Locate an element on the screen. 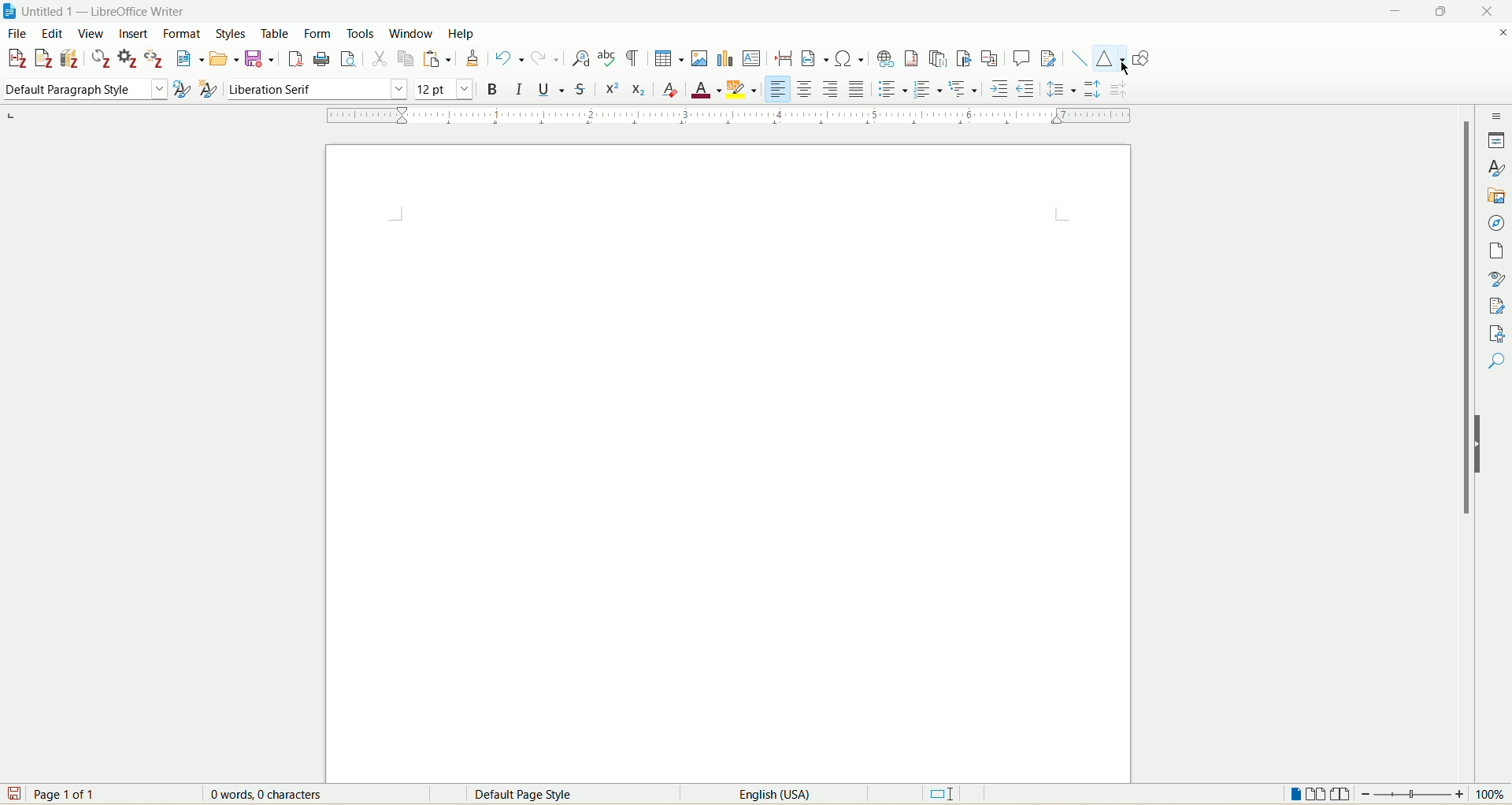 Image resolution: width=1512 pixels, height=805 pixels. table is located at coordinates (280, 33).